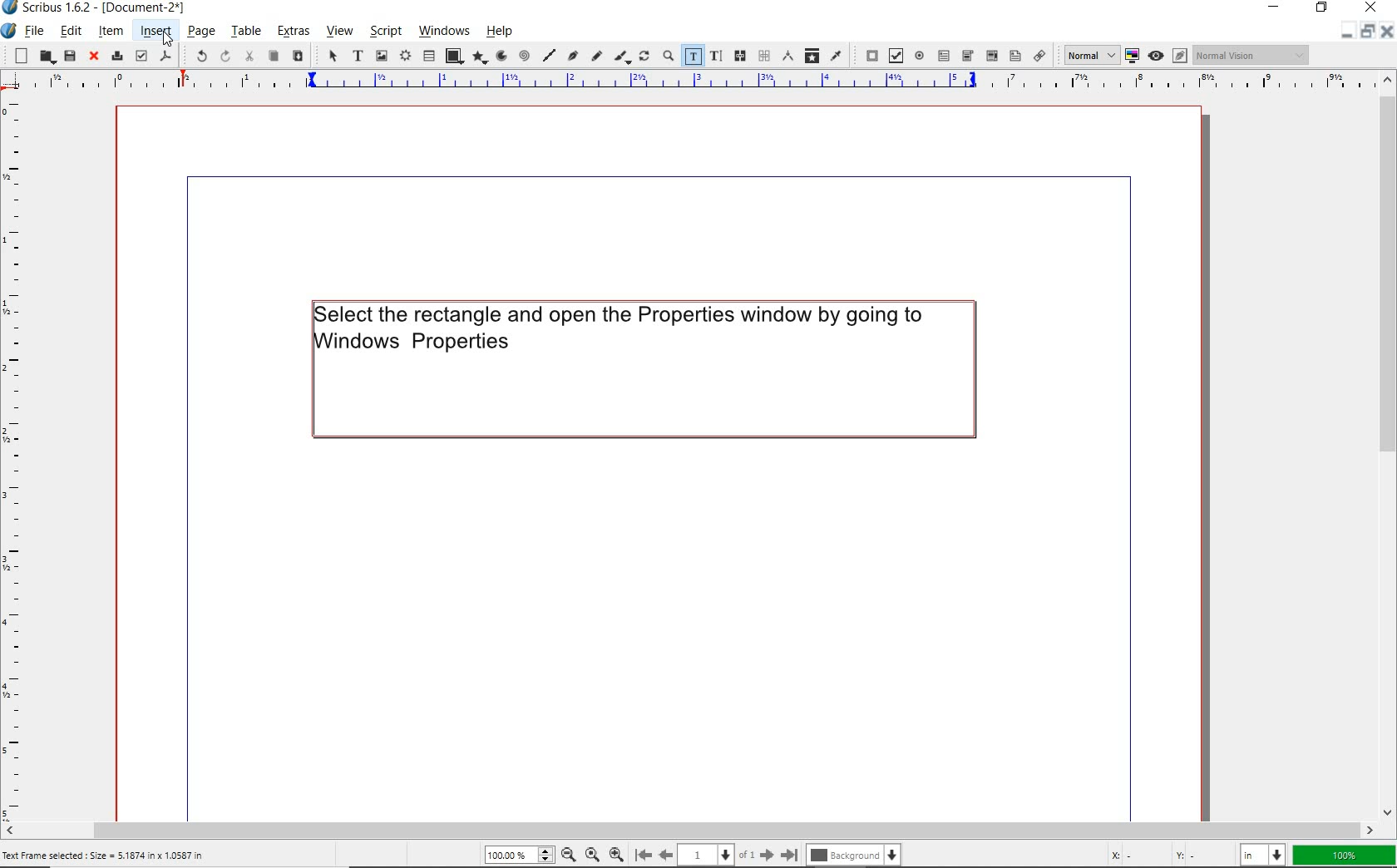 The image size is (1397, 868). Describe the element at coordinates (742, 57) in the screenshot. I see `link text frames` at that location.